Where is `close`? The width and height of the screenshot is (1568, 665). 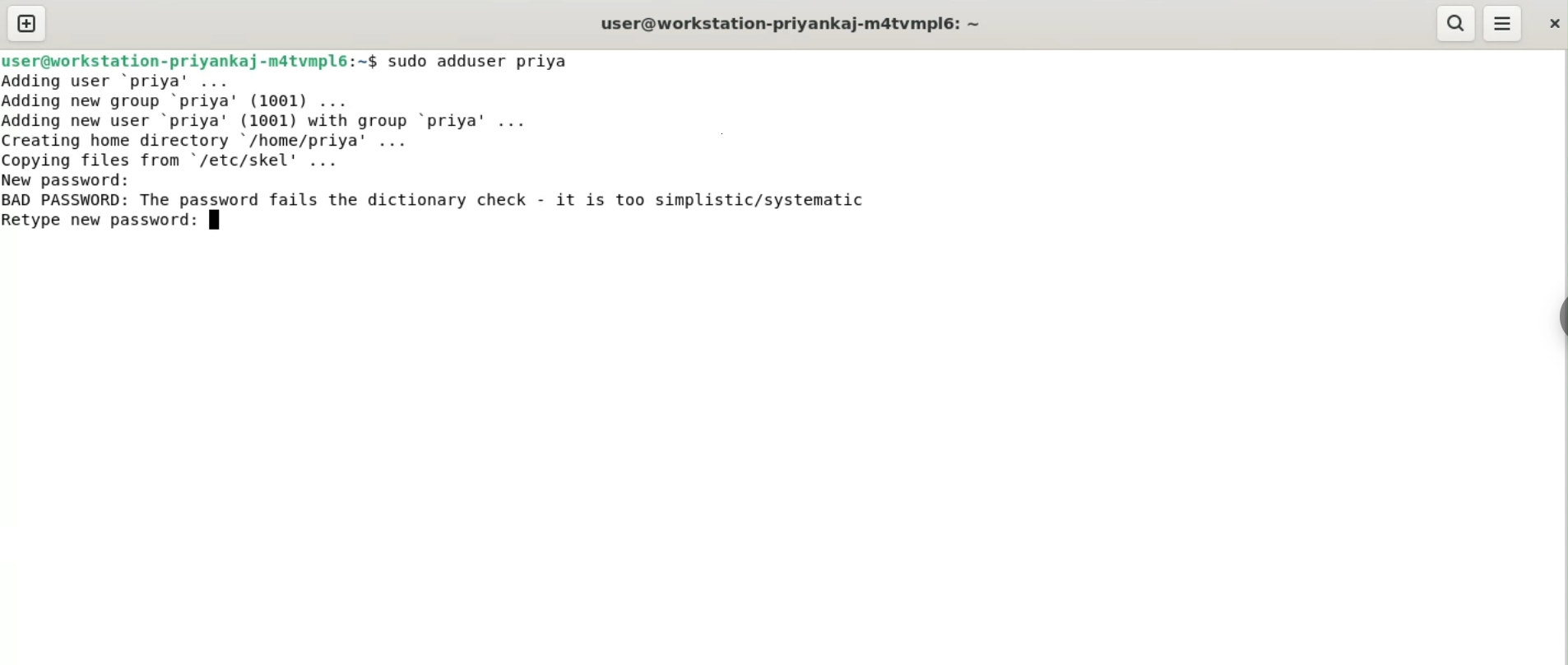
close is located at coordinates (1552, 23).